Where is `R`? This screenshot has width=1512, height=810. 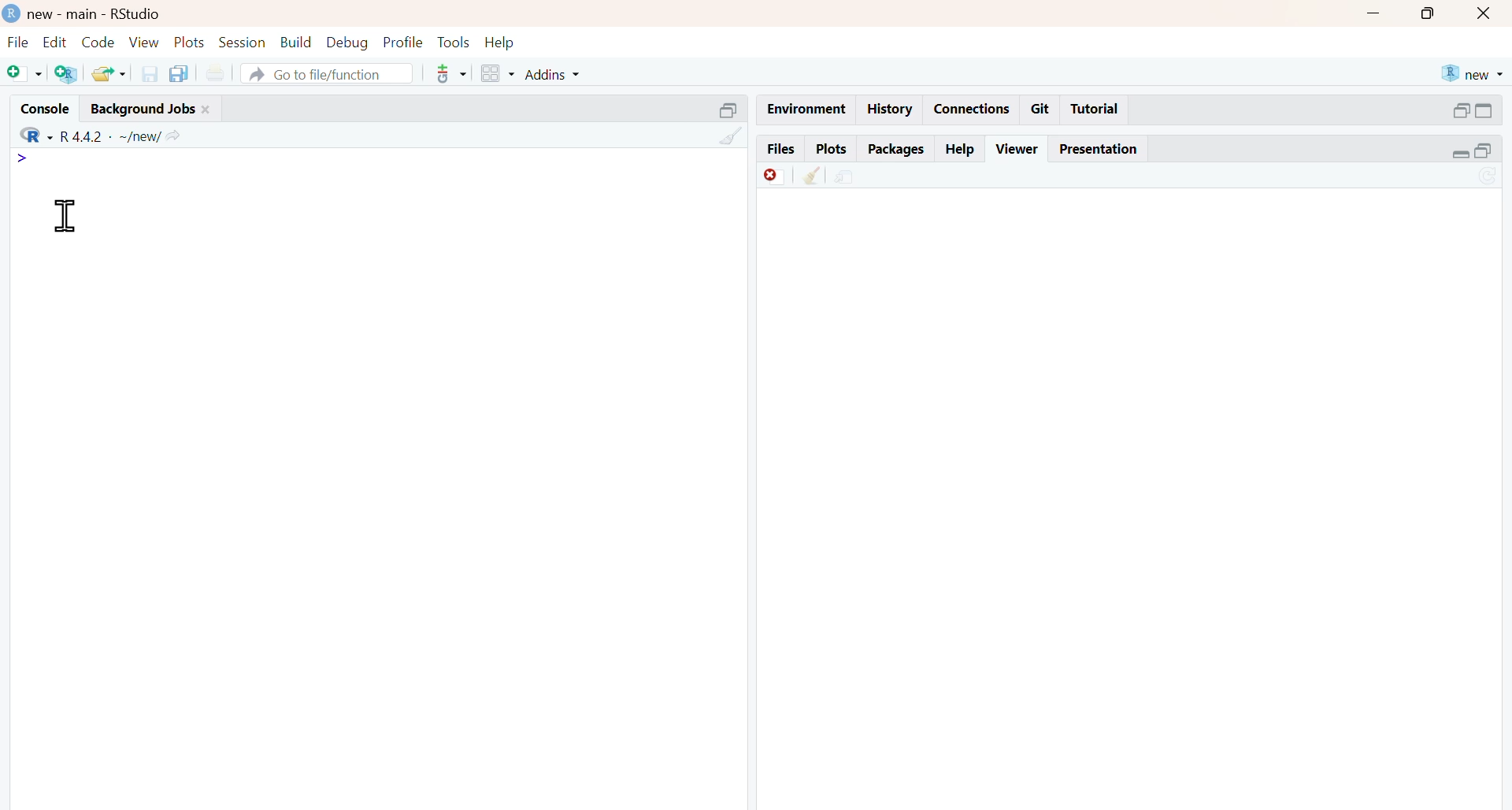 R is located at coordinates (36, 135).